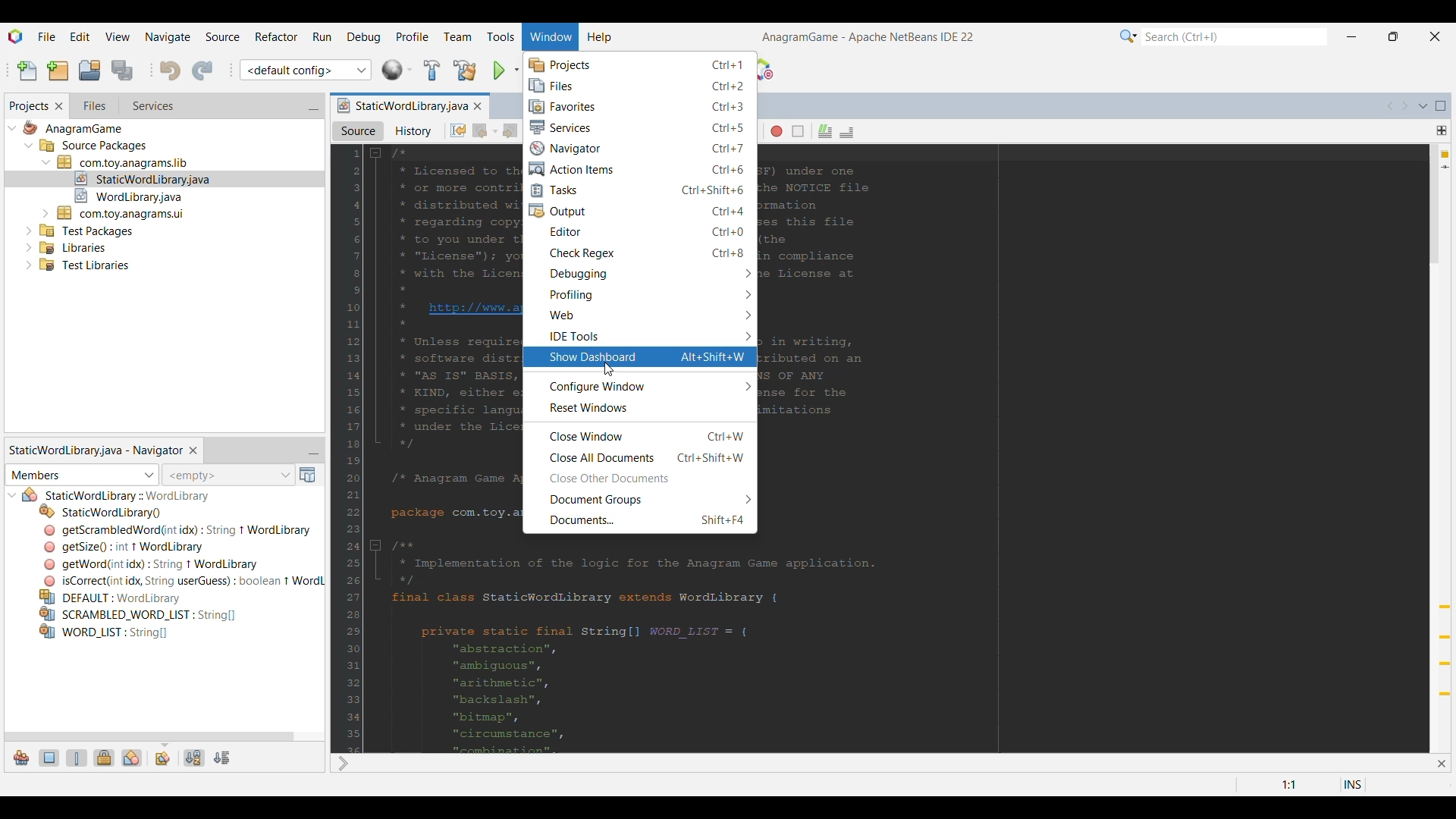  Describe the element at coordinates (16, 36) in the screenshot. I see `Software logo` at that location.